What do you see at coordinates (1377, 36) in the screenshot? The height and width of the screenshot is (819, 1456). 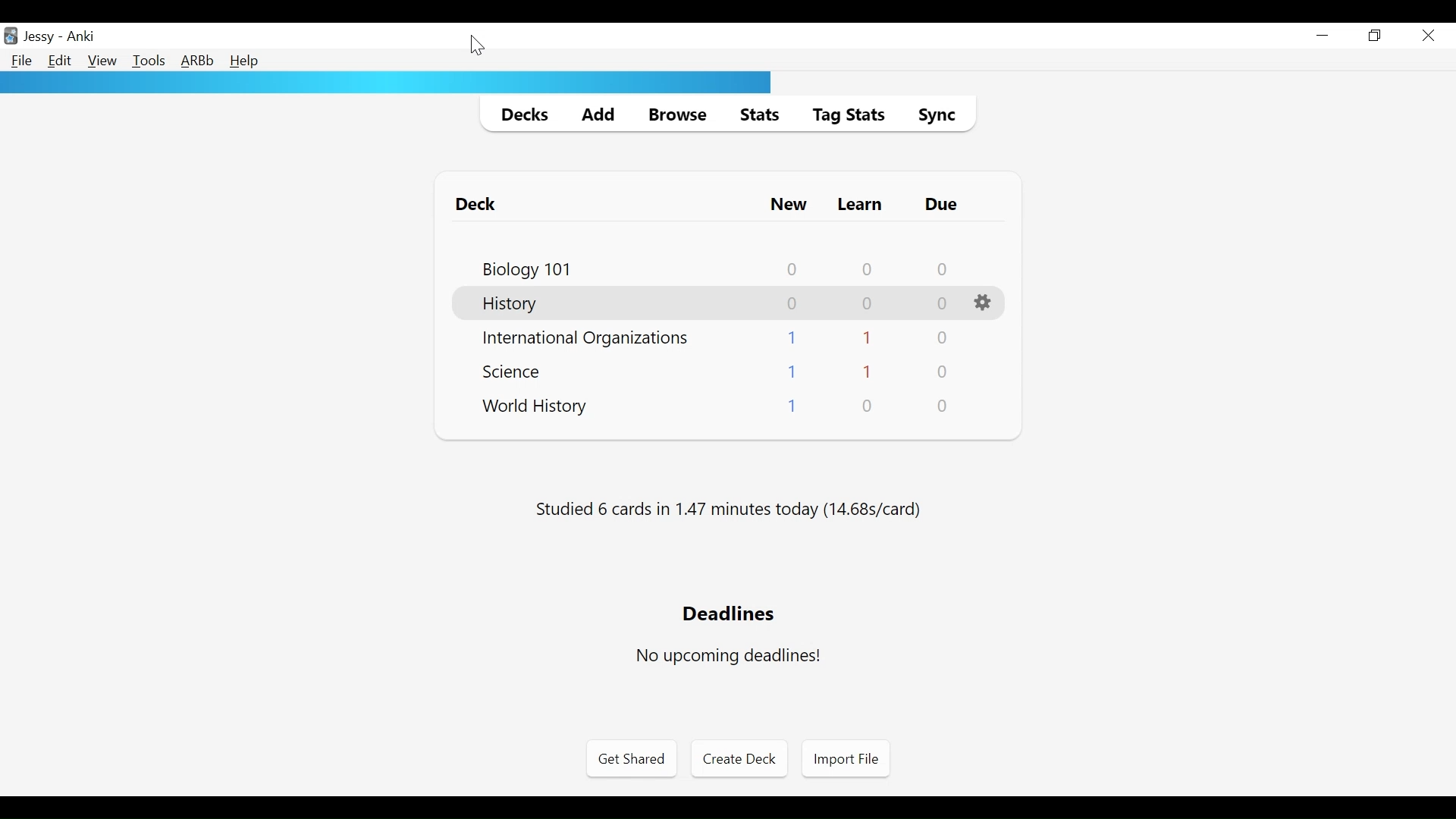 I see `Restore` at bounding box center [1377, 36].